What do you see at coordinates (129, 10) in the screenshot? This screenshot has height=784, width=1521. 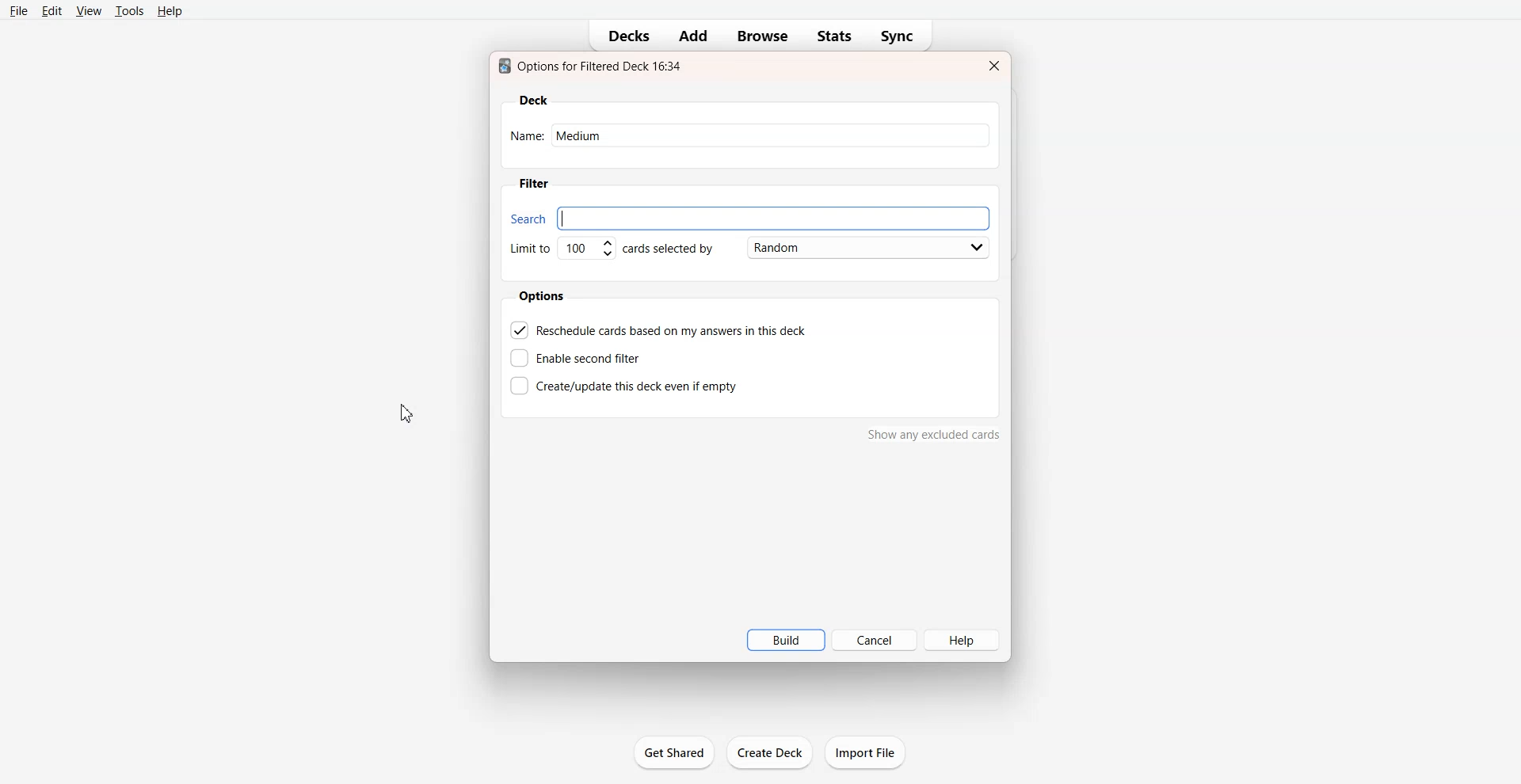 I see `Tools` at bounding box center [129, 10].